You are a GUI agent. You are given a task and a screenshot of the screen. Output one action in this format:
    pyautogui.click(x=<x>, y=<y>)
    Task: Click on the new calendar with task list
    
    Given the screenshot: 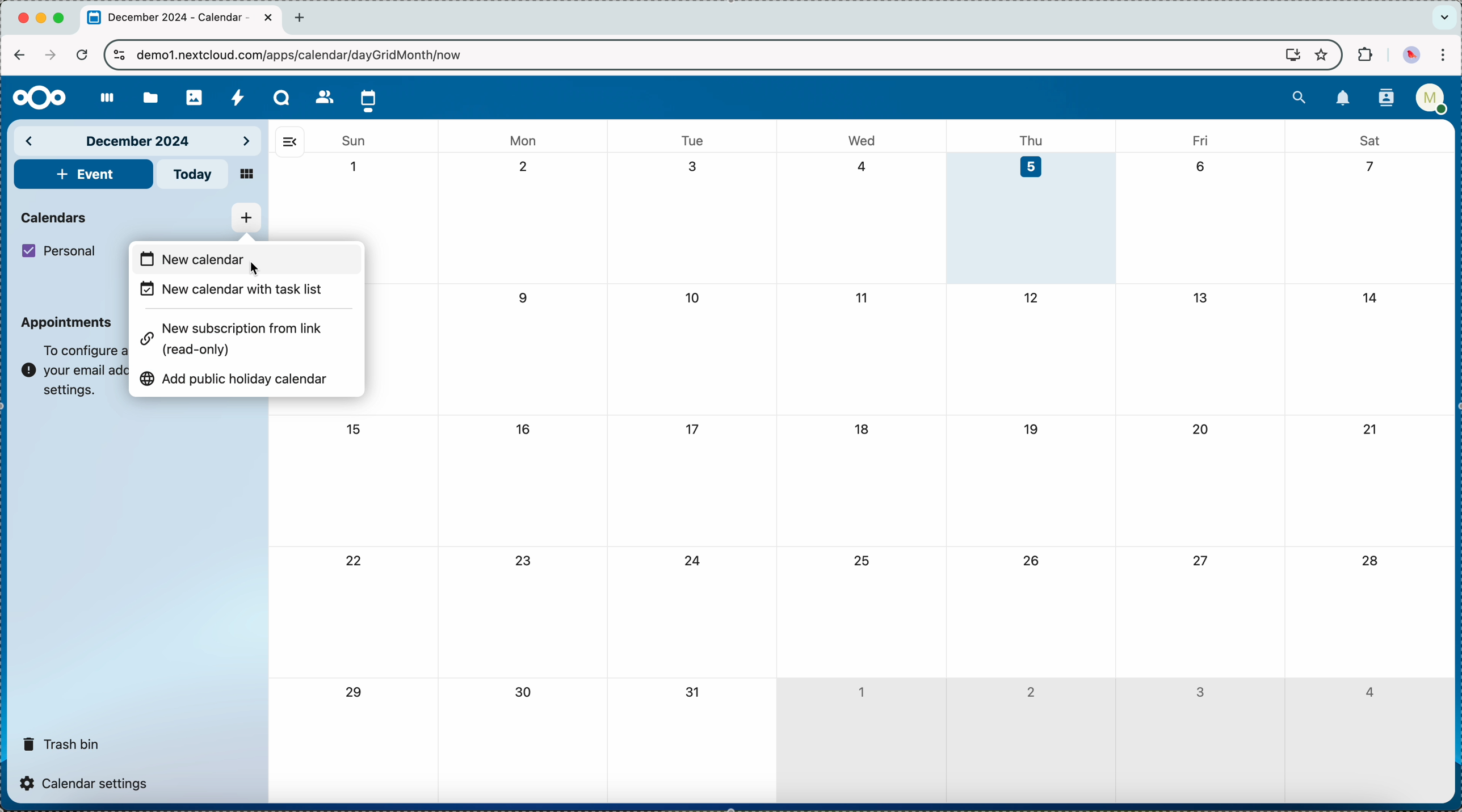 What is the action you would take?
    pyautogui.click(x=233, y=292)
    